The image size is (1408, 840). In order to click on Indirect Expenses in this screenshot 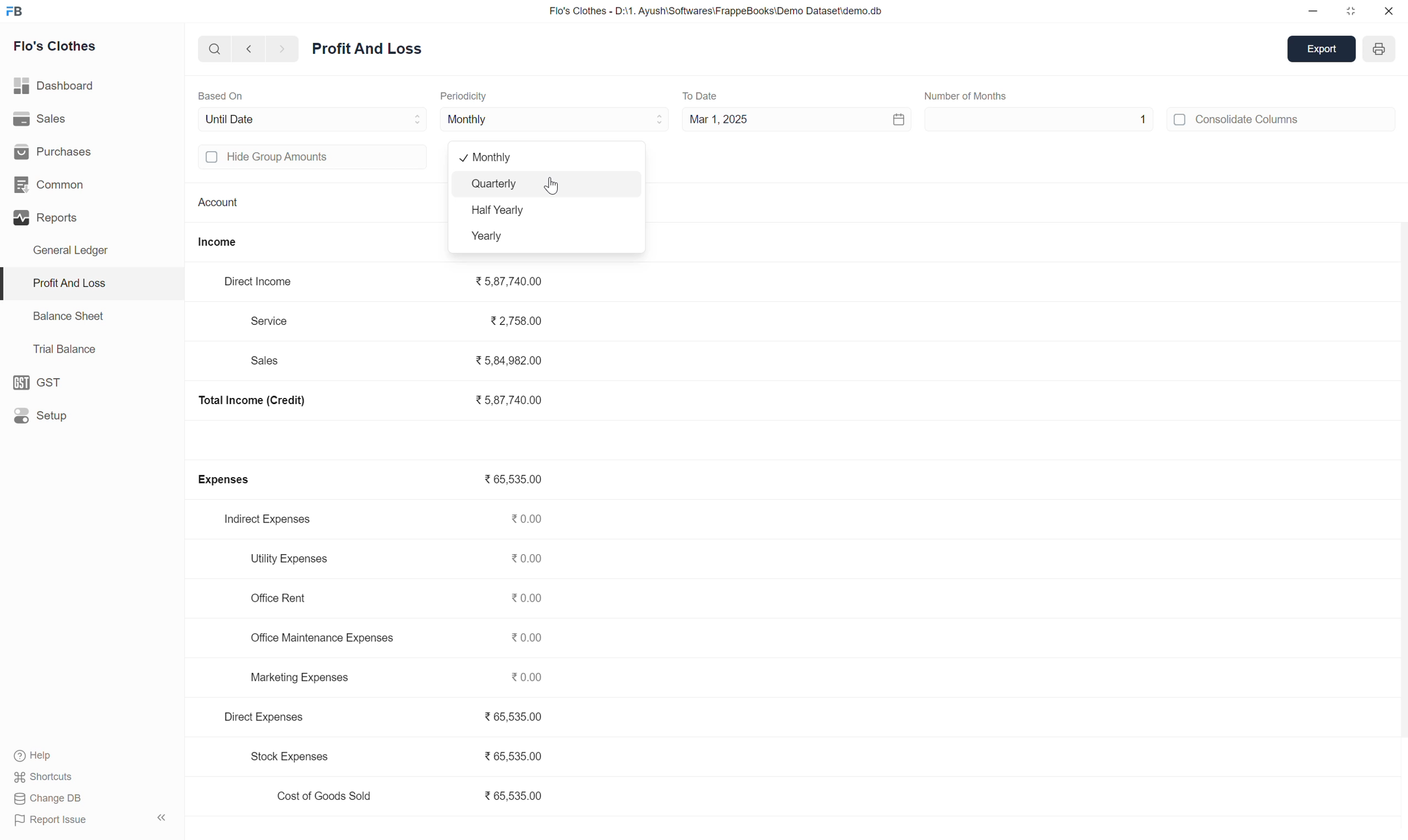, I will do `click(273, 518)`.